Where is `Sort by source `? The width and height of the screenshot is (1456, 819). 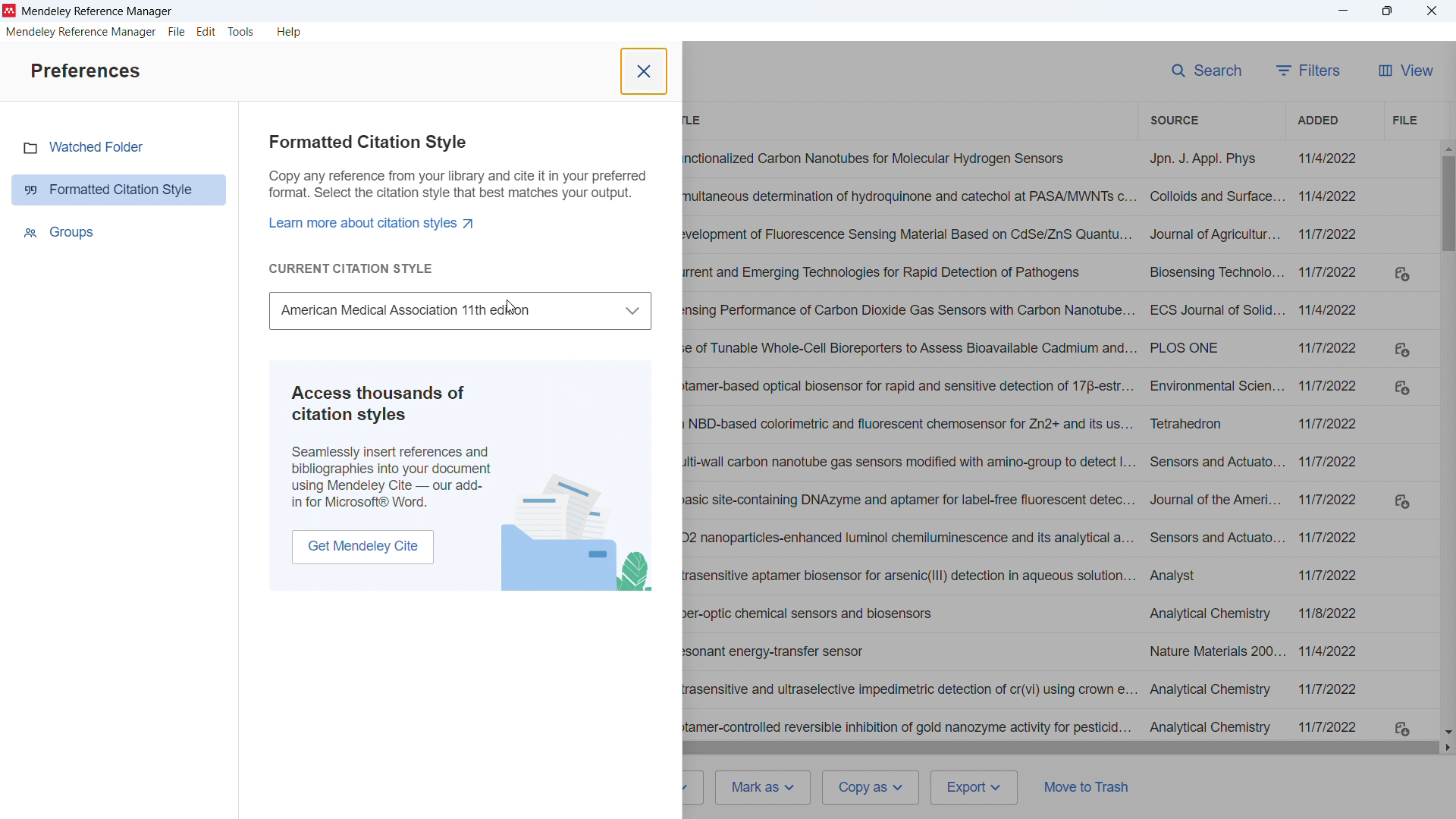
Sort by source  is located at coordinates (1172, 119).